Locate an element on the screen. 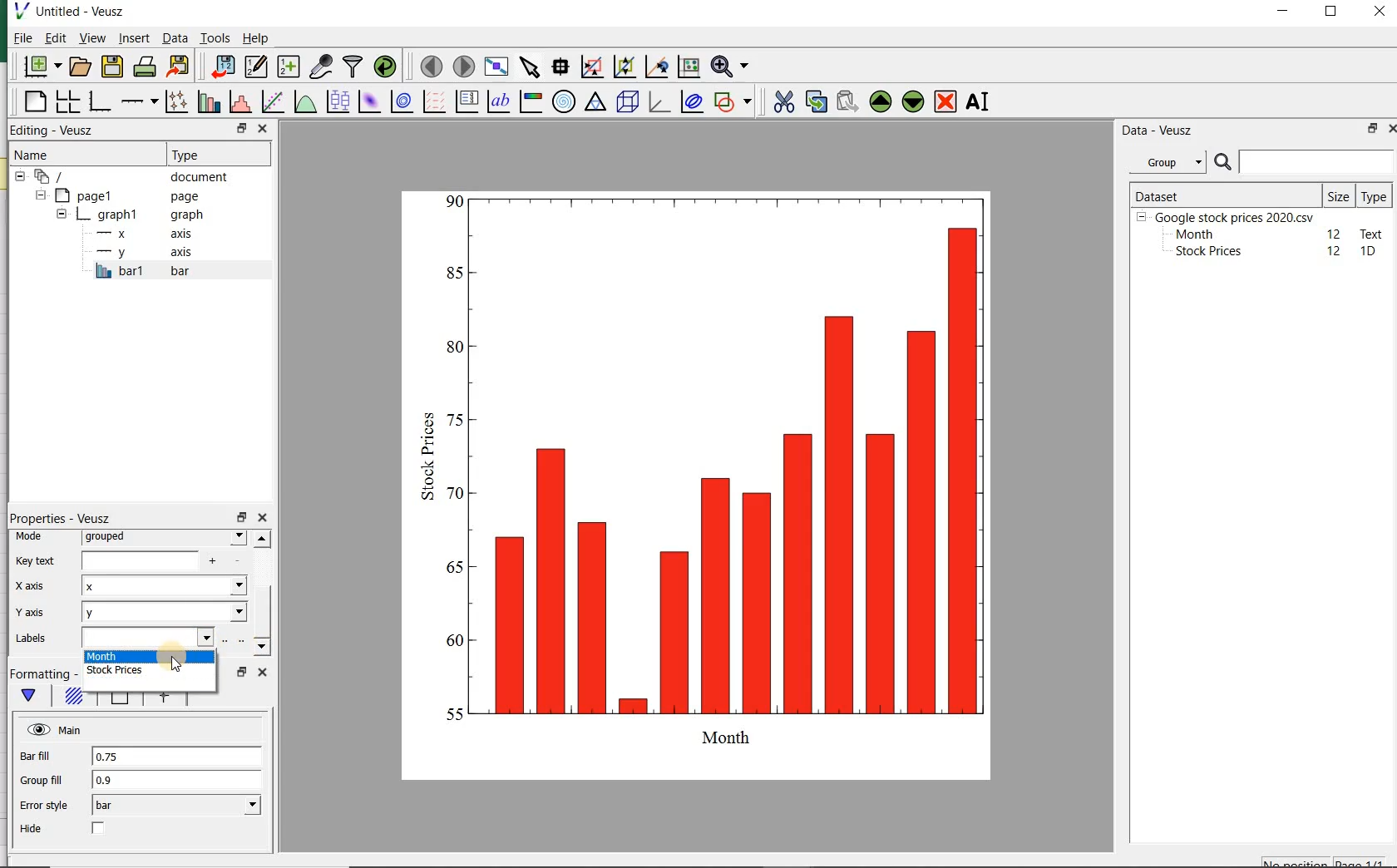 This screenshot has width=1397, height=868. Key text is located at coordinates (35, 562).